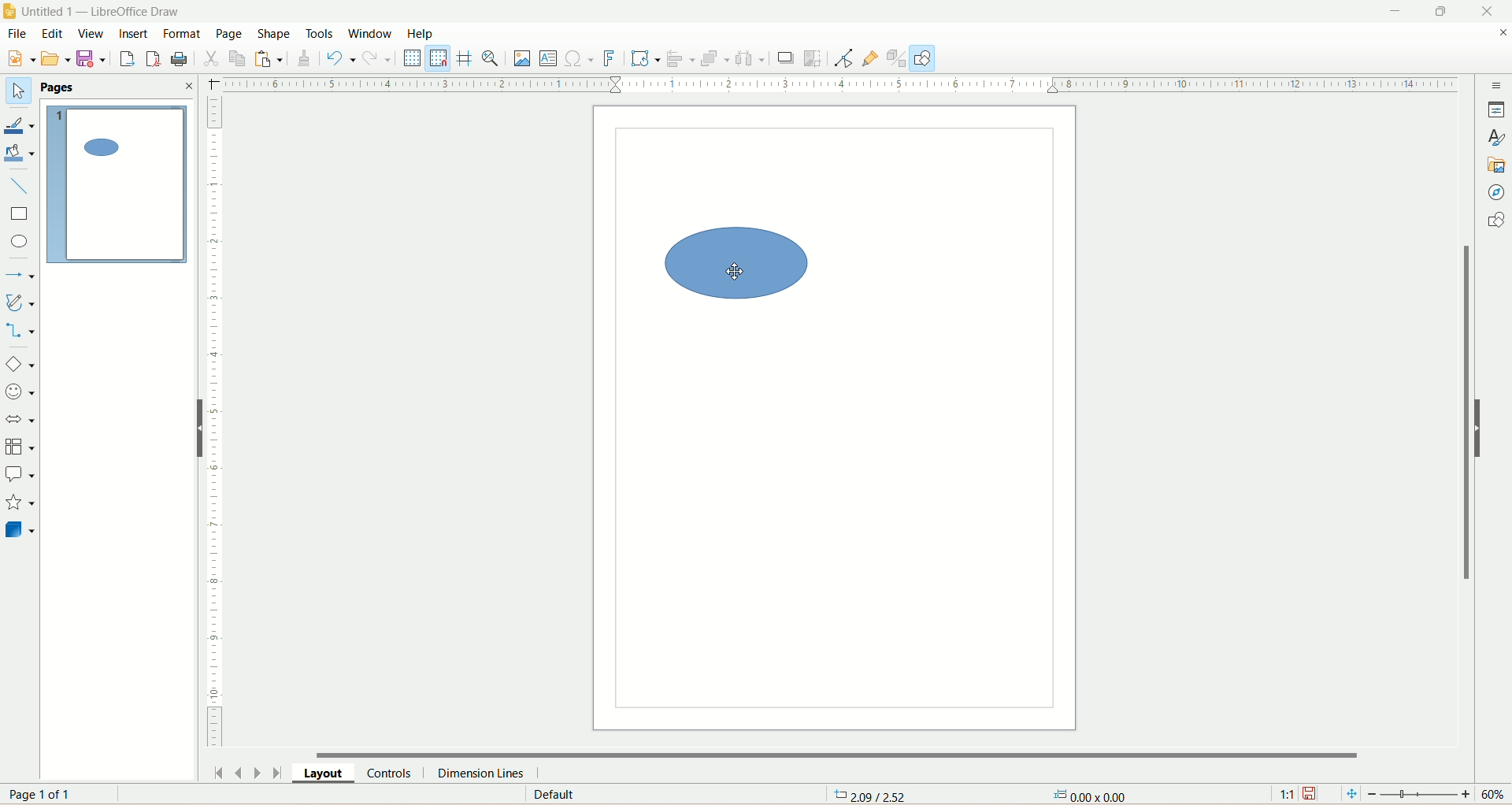 This screenshot has height=805, width=1512. What do you see at coordinates (233, 33) in the screenshot?
I see `page` at bounding box center [233, 33].